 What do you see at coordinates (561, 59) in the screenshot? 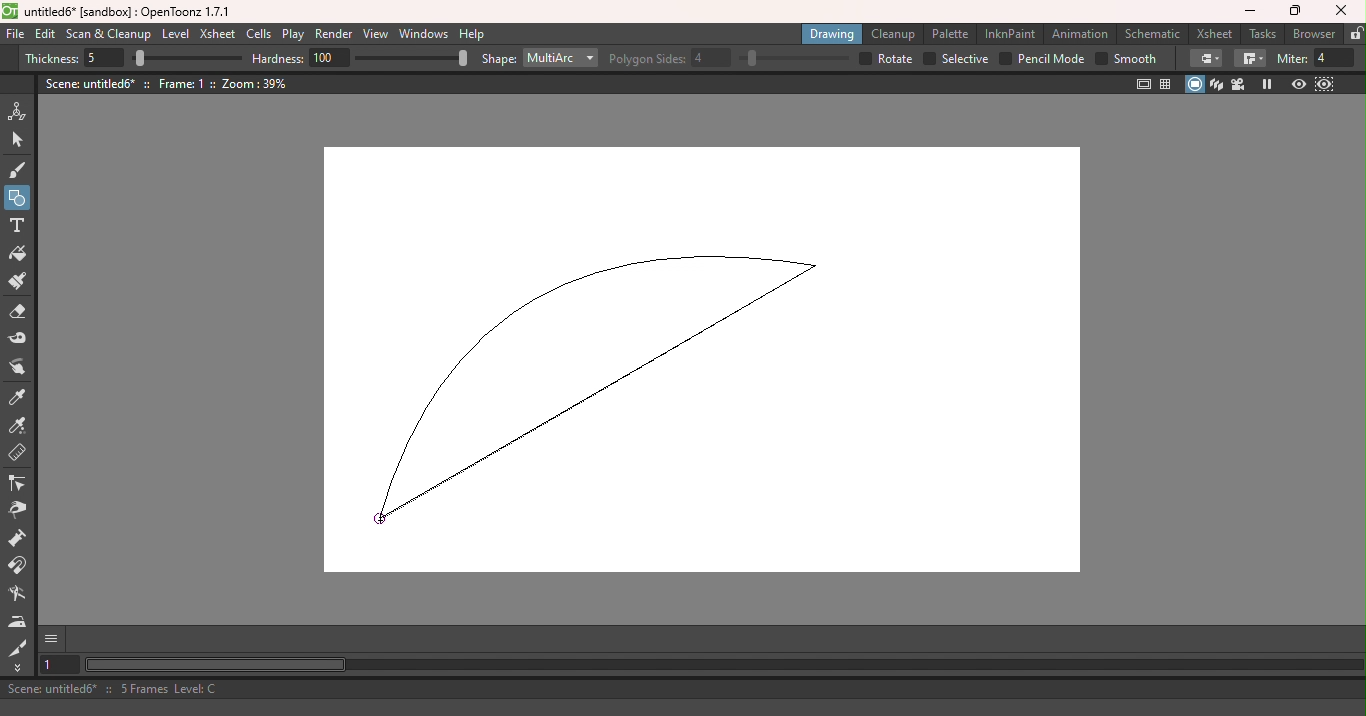
I see `Multiarc` at bounding box center [561, 59].